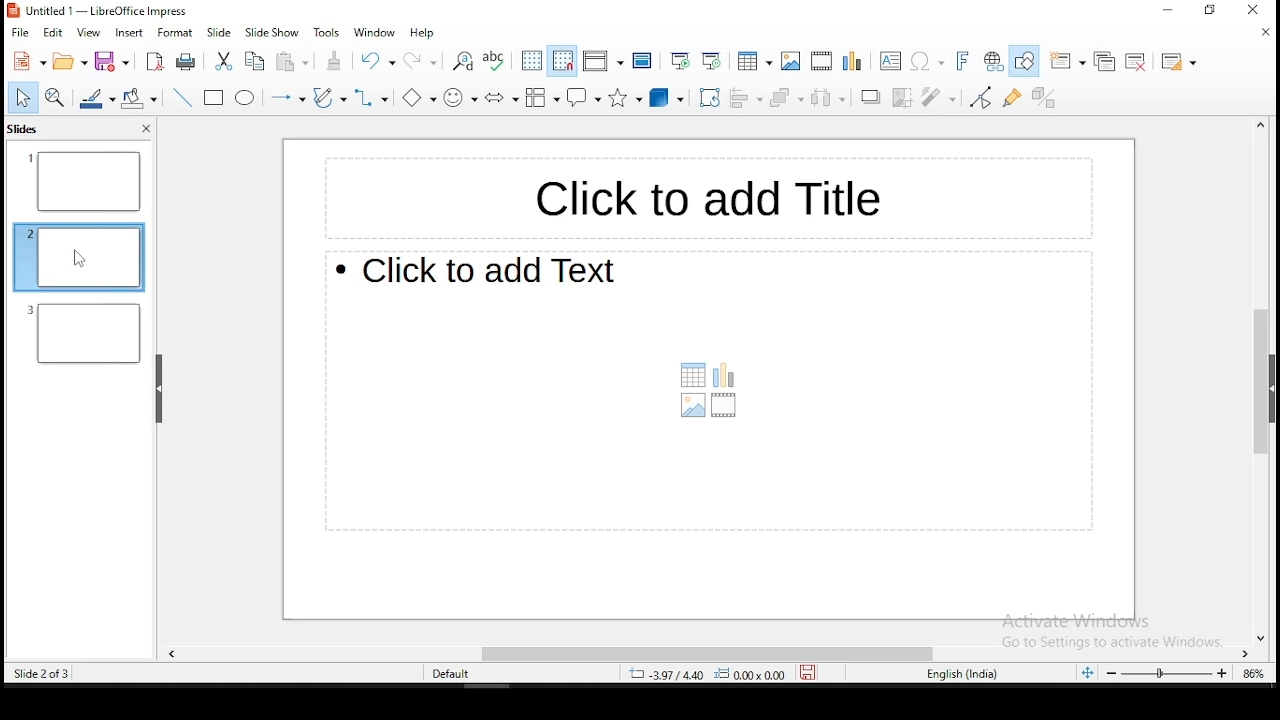 The image size is (1280, 720). What do you see at coordinates (376, 61) in the screenshot?
I see `undo` at bounding box center [376, 61].